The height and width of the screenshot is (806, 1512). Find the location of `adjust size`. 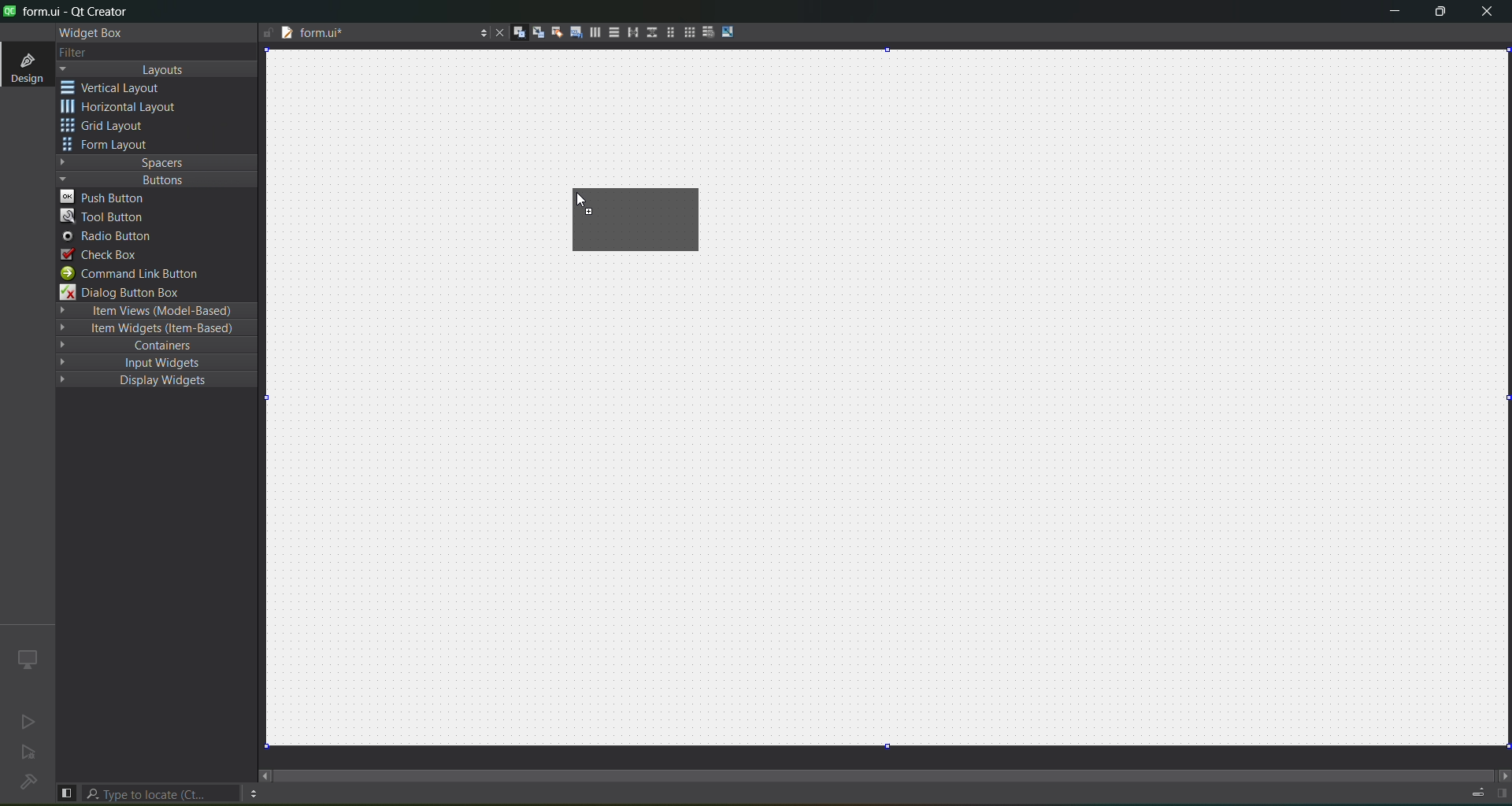

adjust size is located at coordinates (730, 31).